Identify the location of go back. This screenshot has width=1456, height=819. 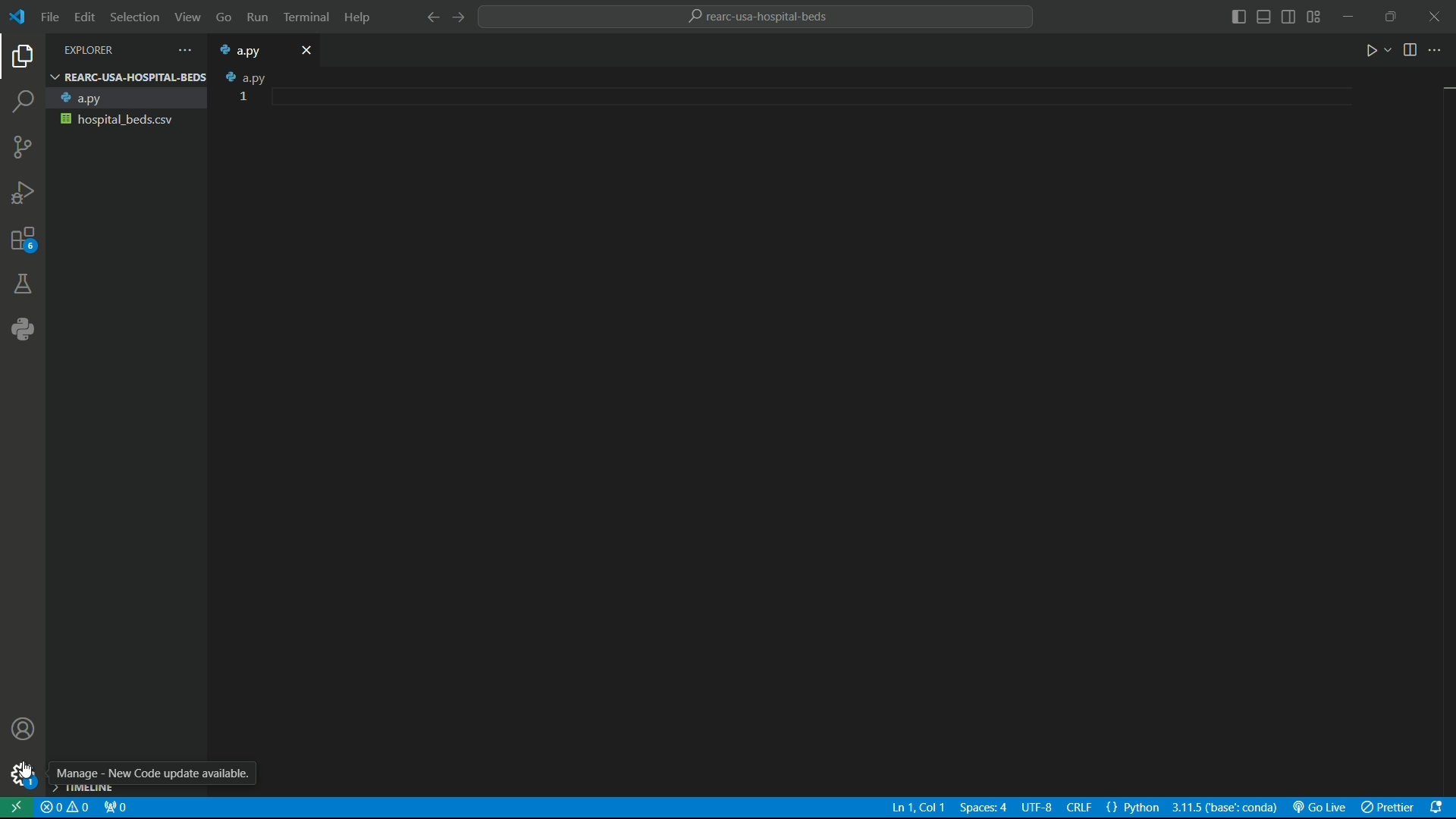
(433, 17).